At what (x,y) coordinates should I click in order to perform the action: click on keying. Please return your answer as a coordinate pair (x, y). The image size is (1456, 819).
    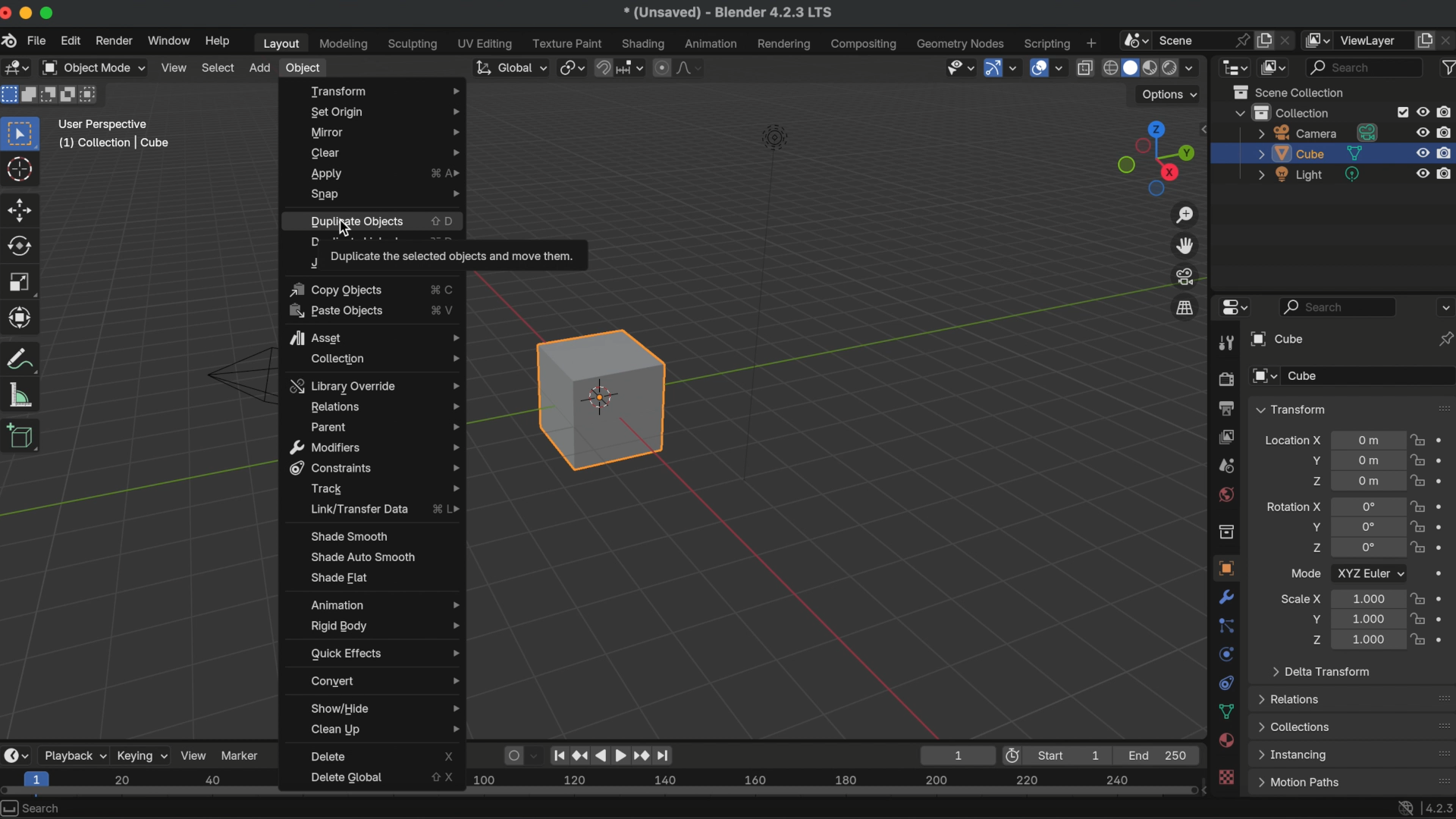
    Looking at the image, I should click on (142, 755).